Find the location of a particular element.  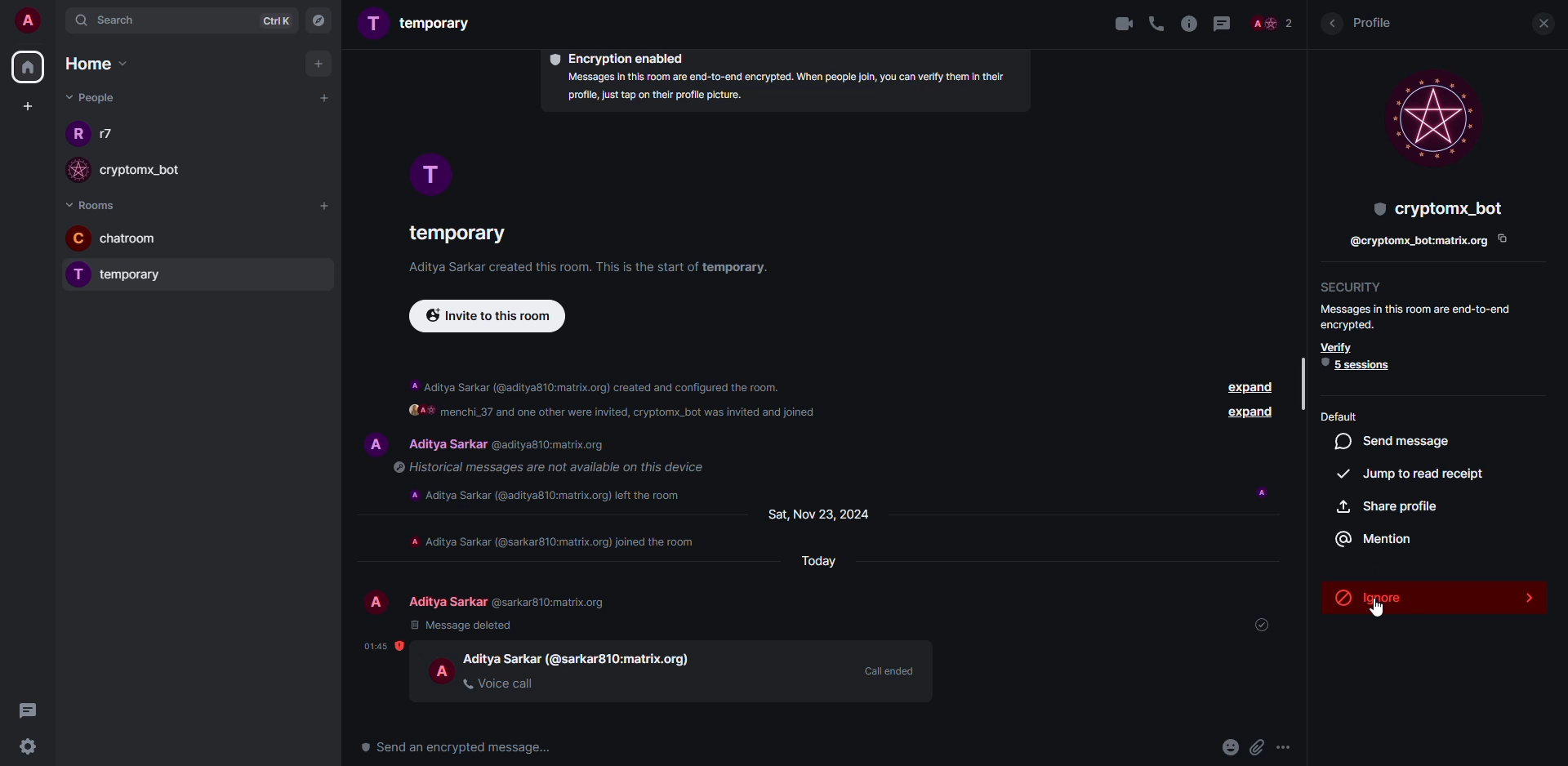

profile is located at coordinates (443, 670).